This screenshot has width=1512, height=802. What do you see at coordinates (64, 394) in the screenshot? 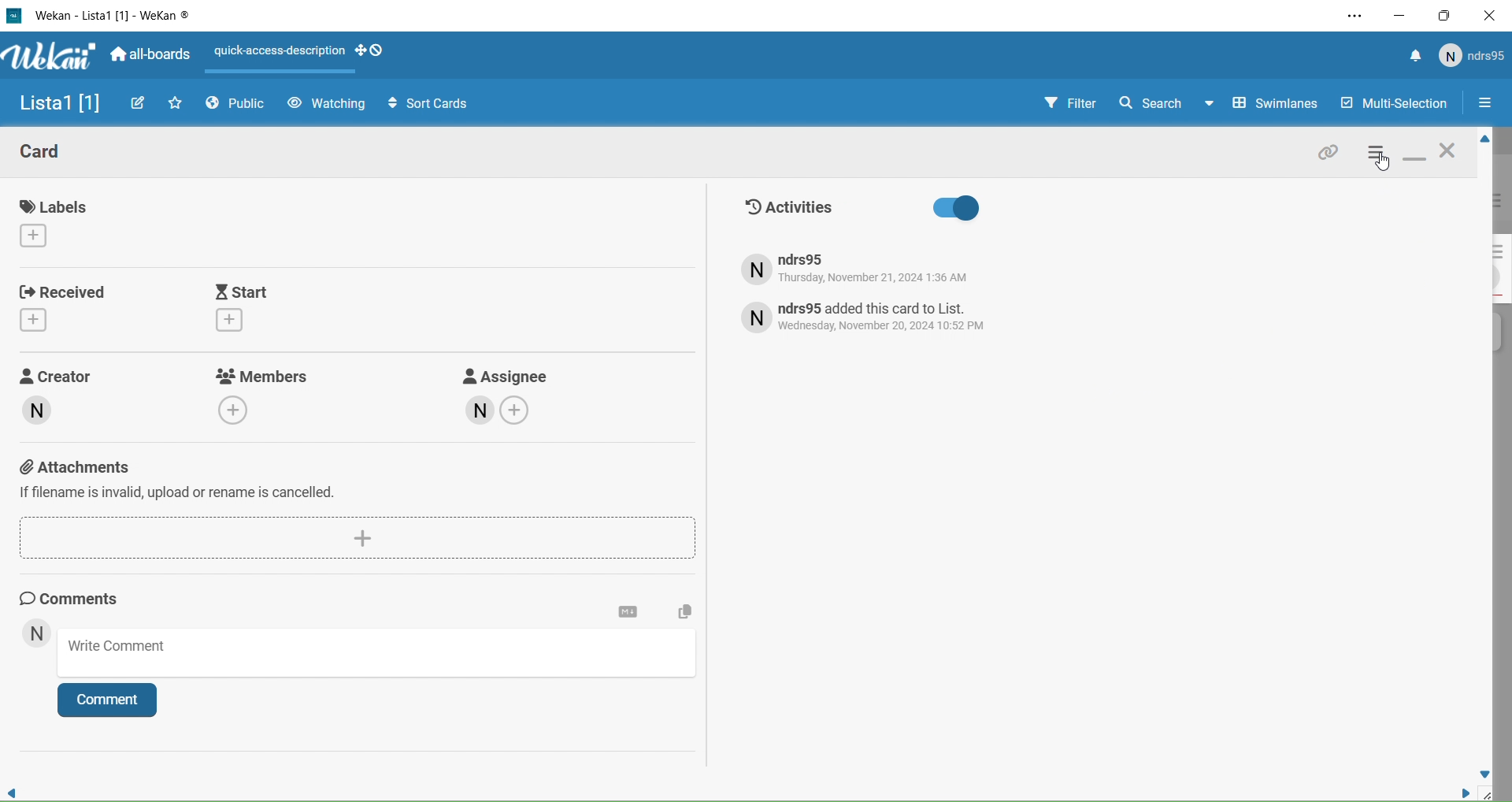
I see `Creator` at bounding box center [64, 394].